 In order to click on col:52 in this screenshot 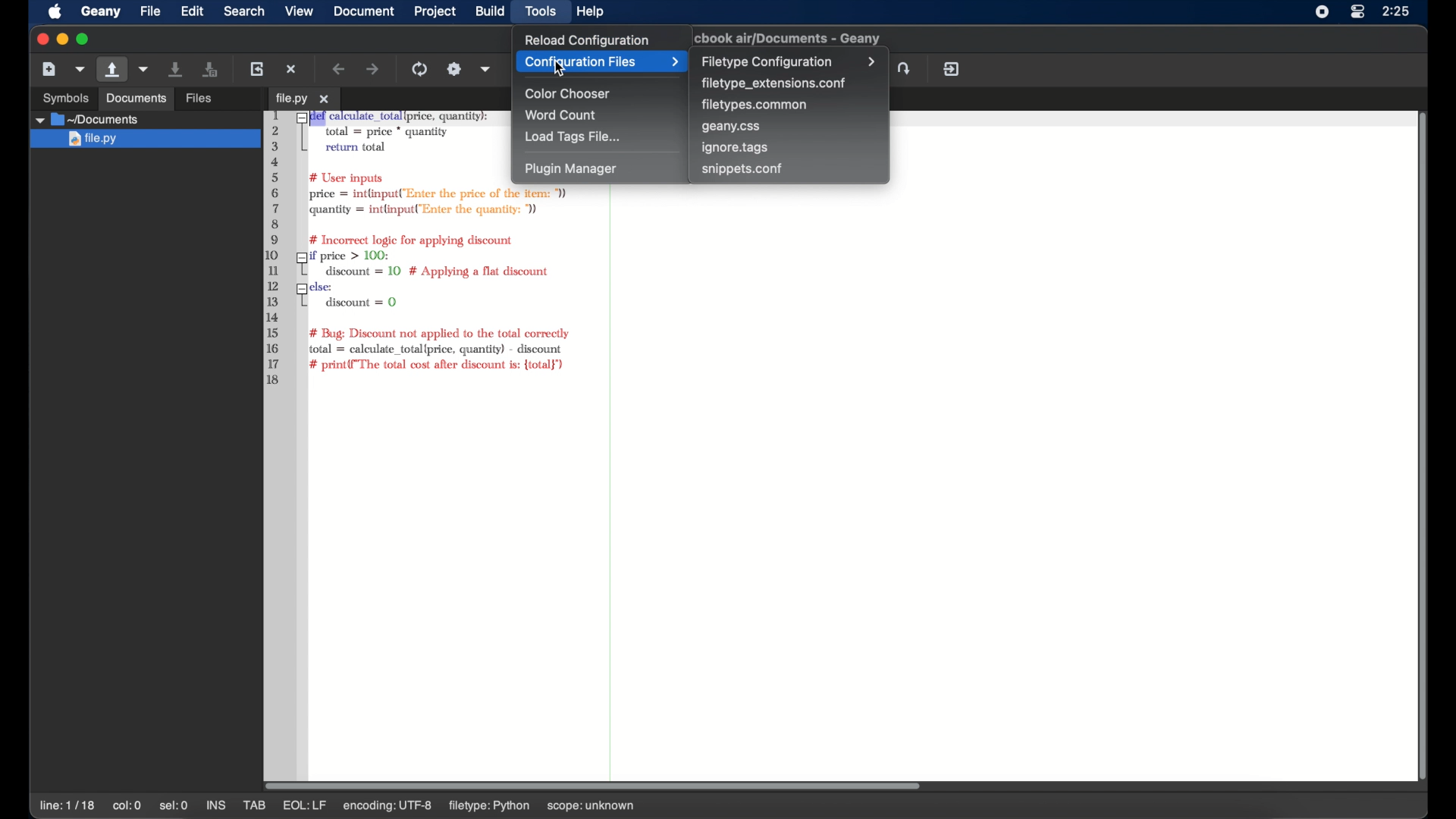, I will do `click(129, 807)`.